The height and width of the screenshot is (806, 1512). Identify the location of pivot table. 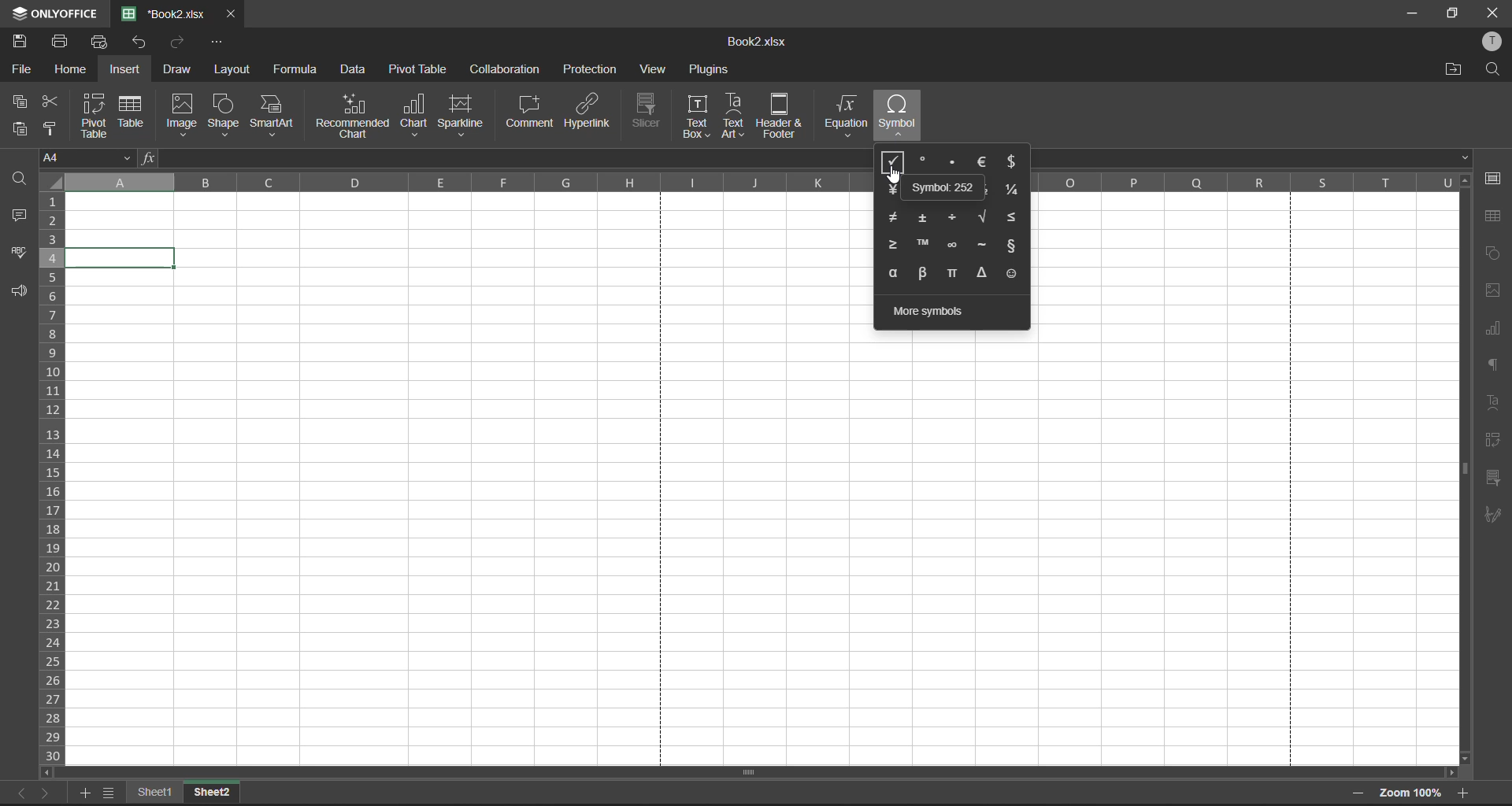
(418, 70).